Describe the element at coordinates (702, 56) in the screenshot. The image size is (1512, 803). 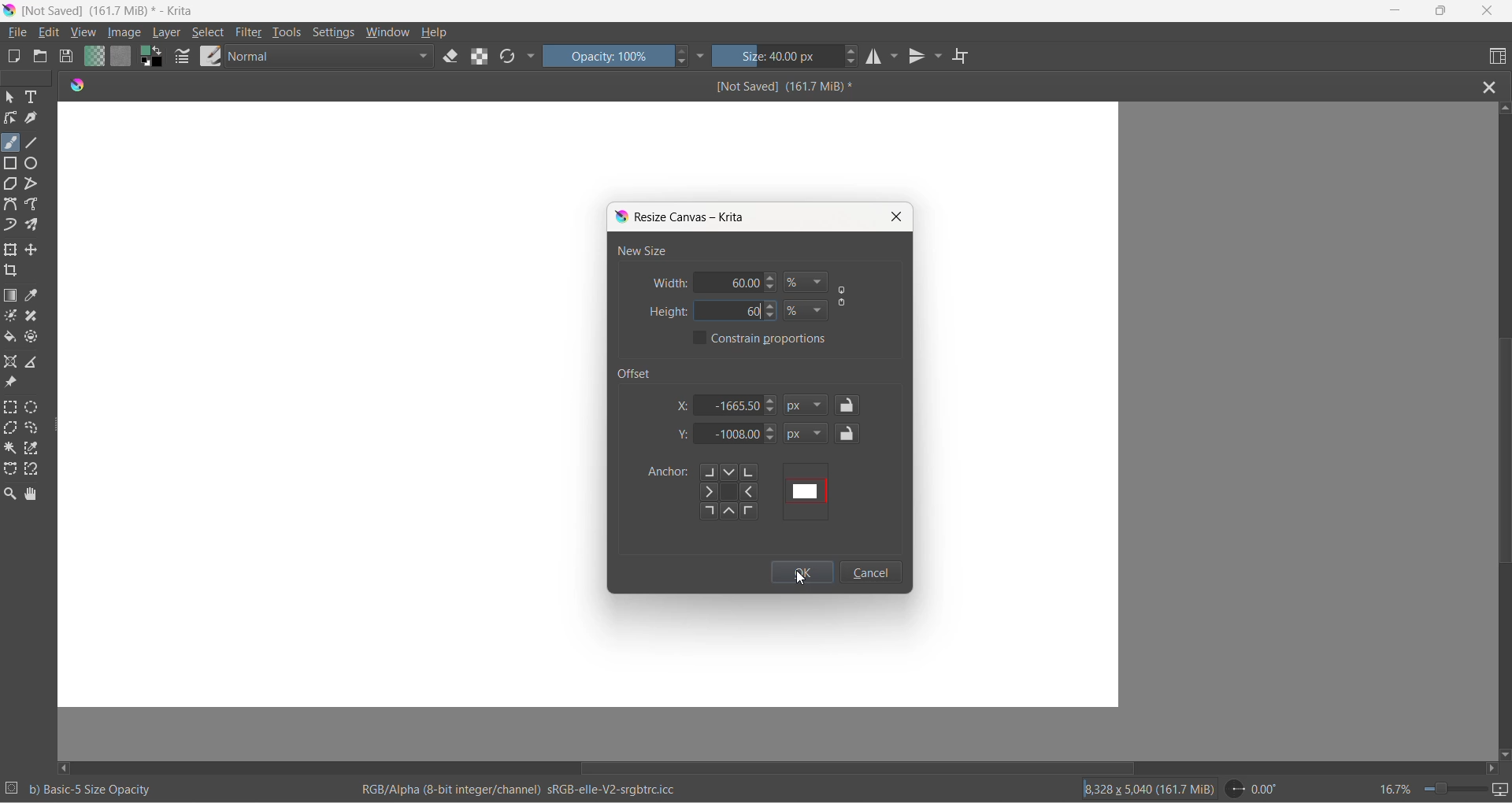
I see `more settings dropdown button` at that location.